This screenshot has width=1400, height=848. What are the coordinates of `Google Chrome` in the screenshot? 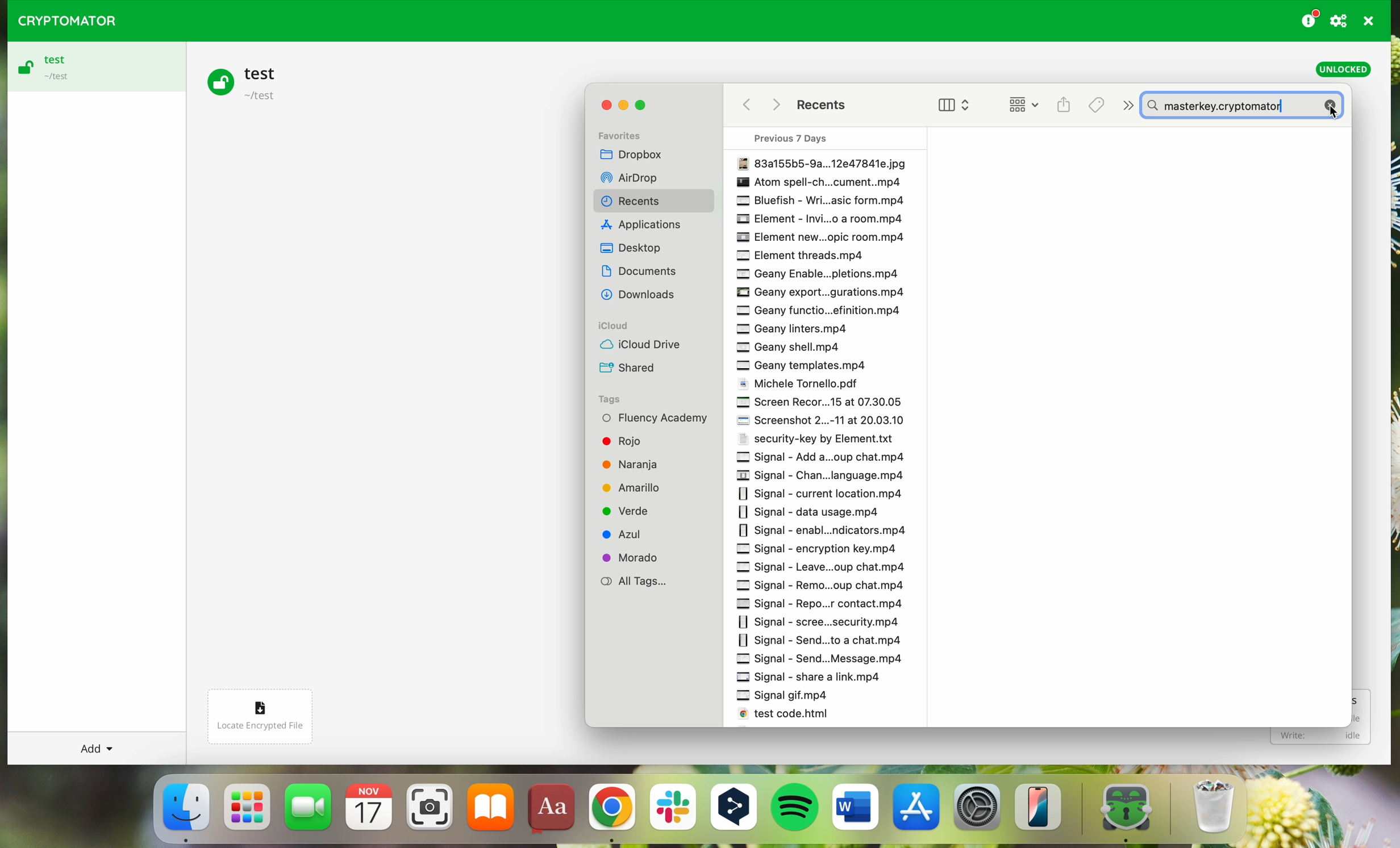 It's located at (611, 813).